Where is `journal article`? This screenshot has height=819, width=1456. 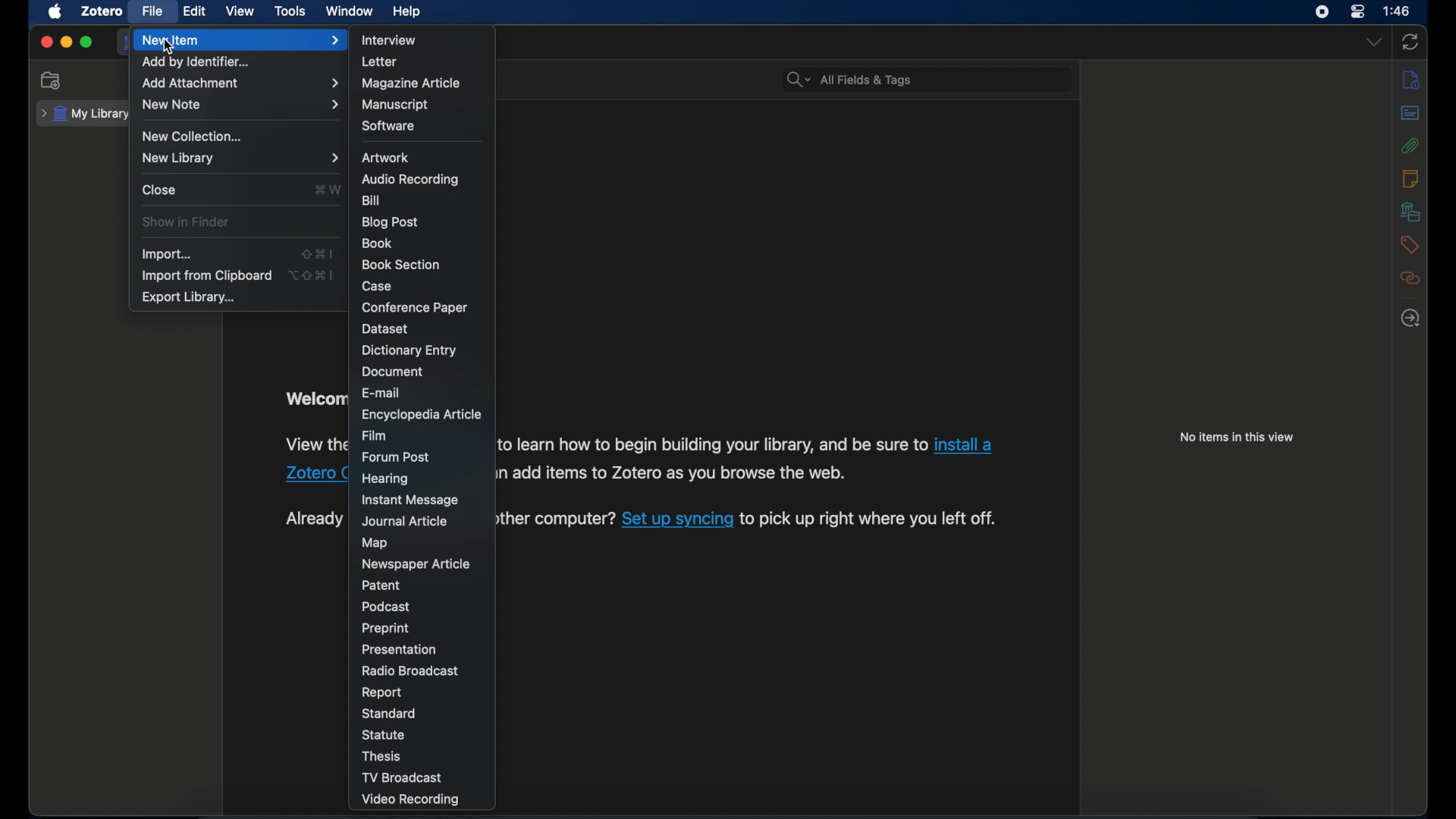 journal article is located at coordinates (406, 522).